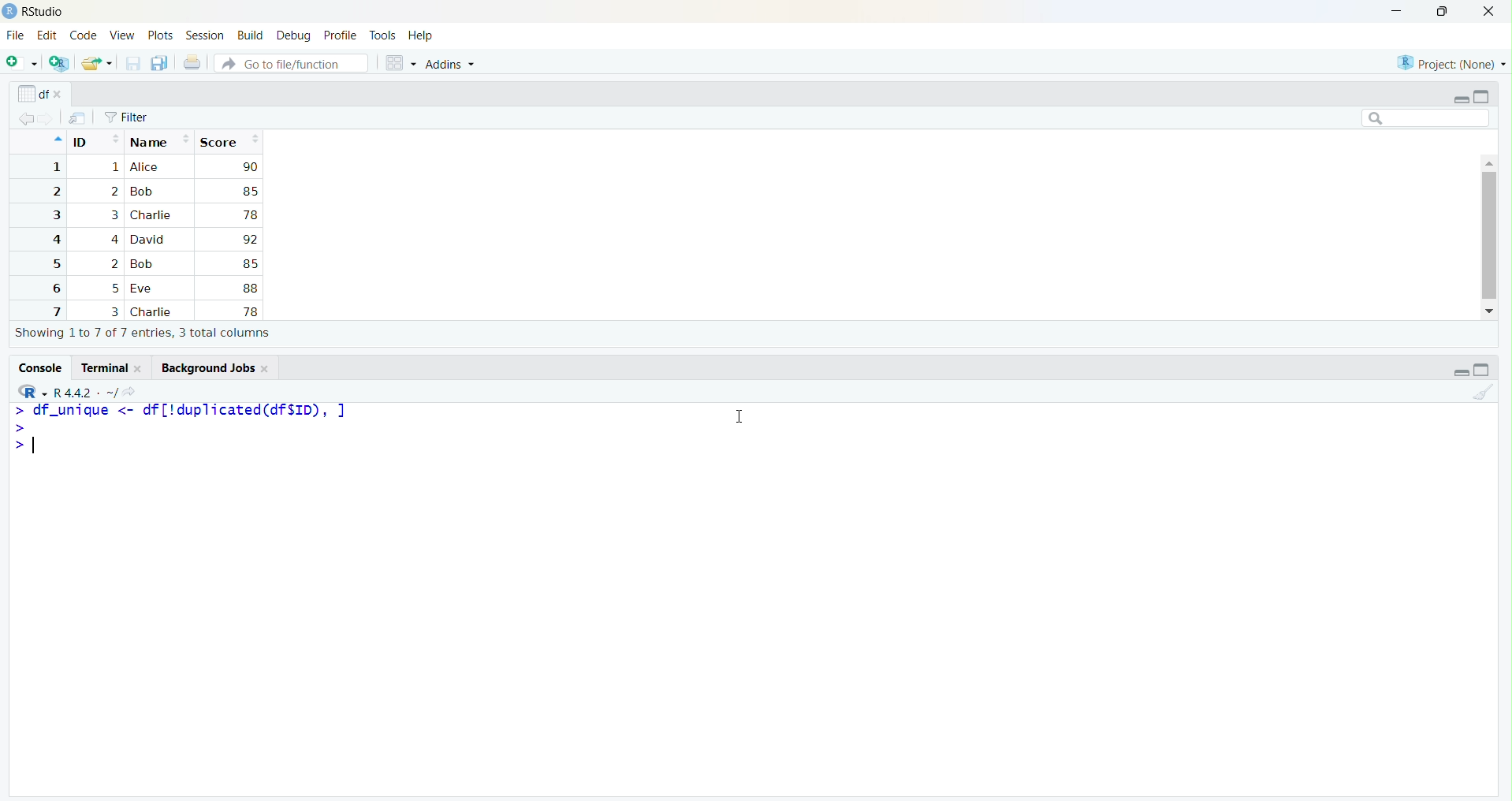  Describe the element at coordinates (54, 264) in the screenshot. I see `5` at that location.